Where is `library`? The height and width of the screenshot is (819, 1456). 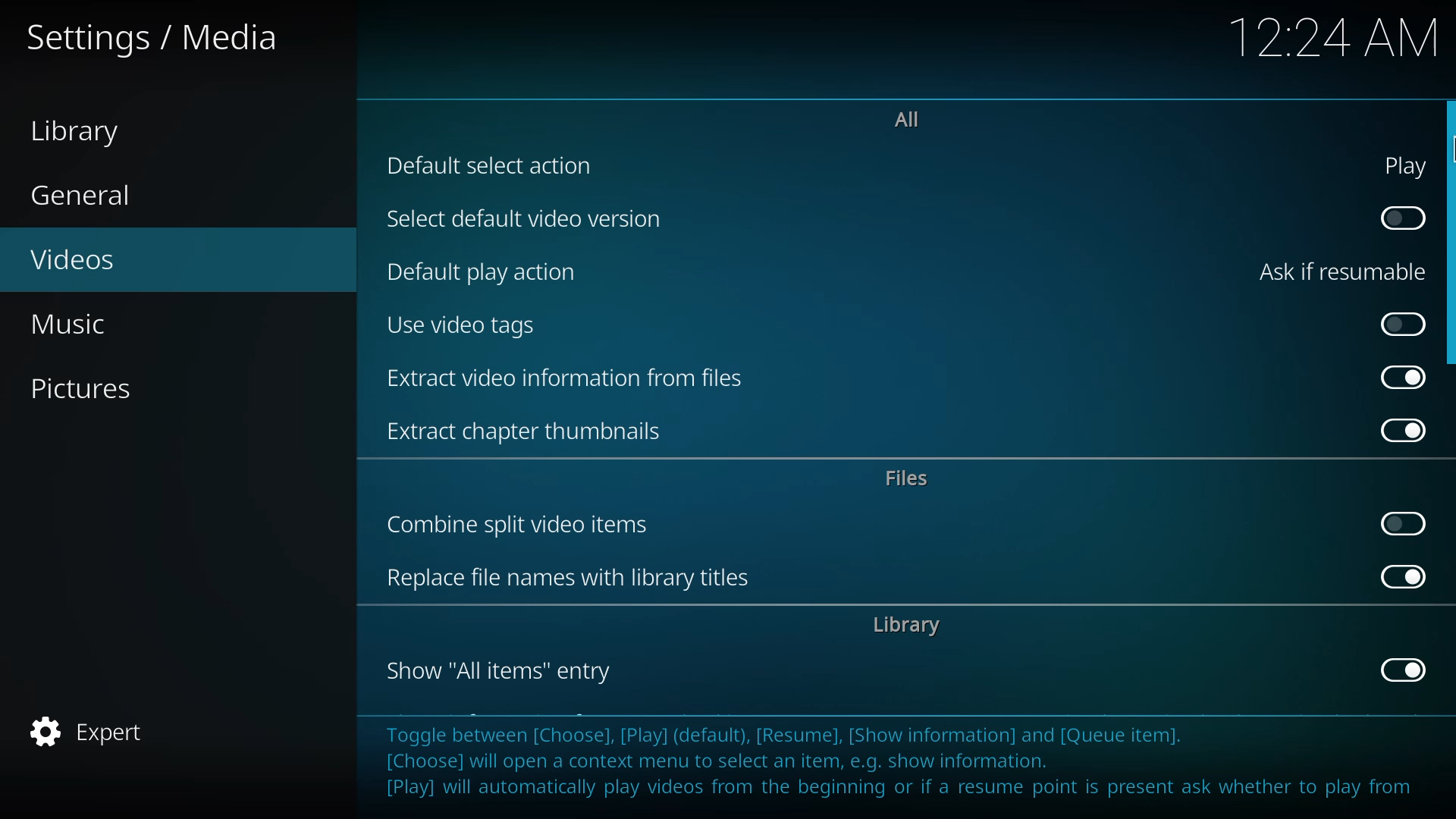
library is located at coordinates (89, 132).